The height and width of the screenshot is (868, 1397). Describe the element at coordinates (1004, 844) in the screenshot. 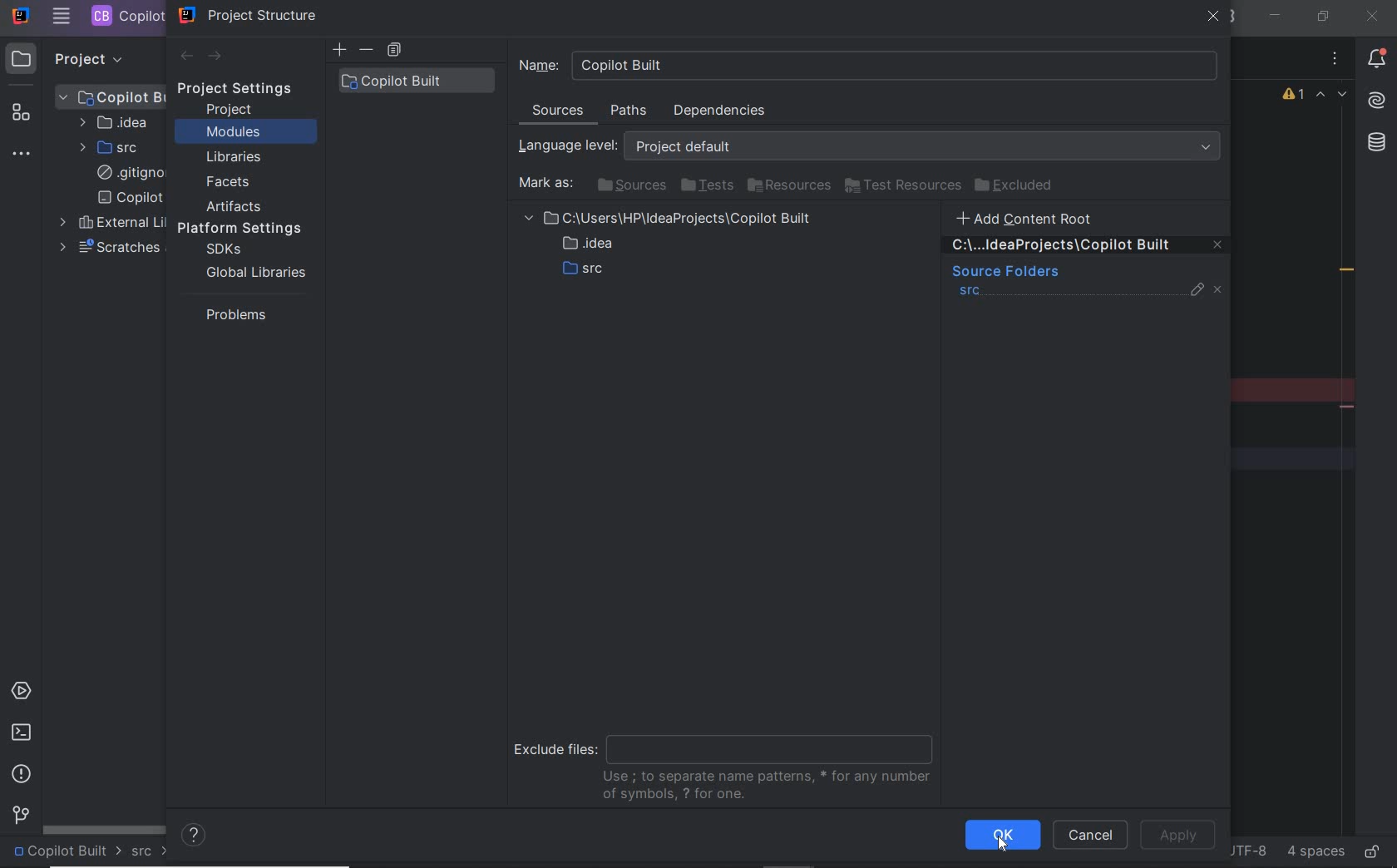

I see `cursor` at that location.